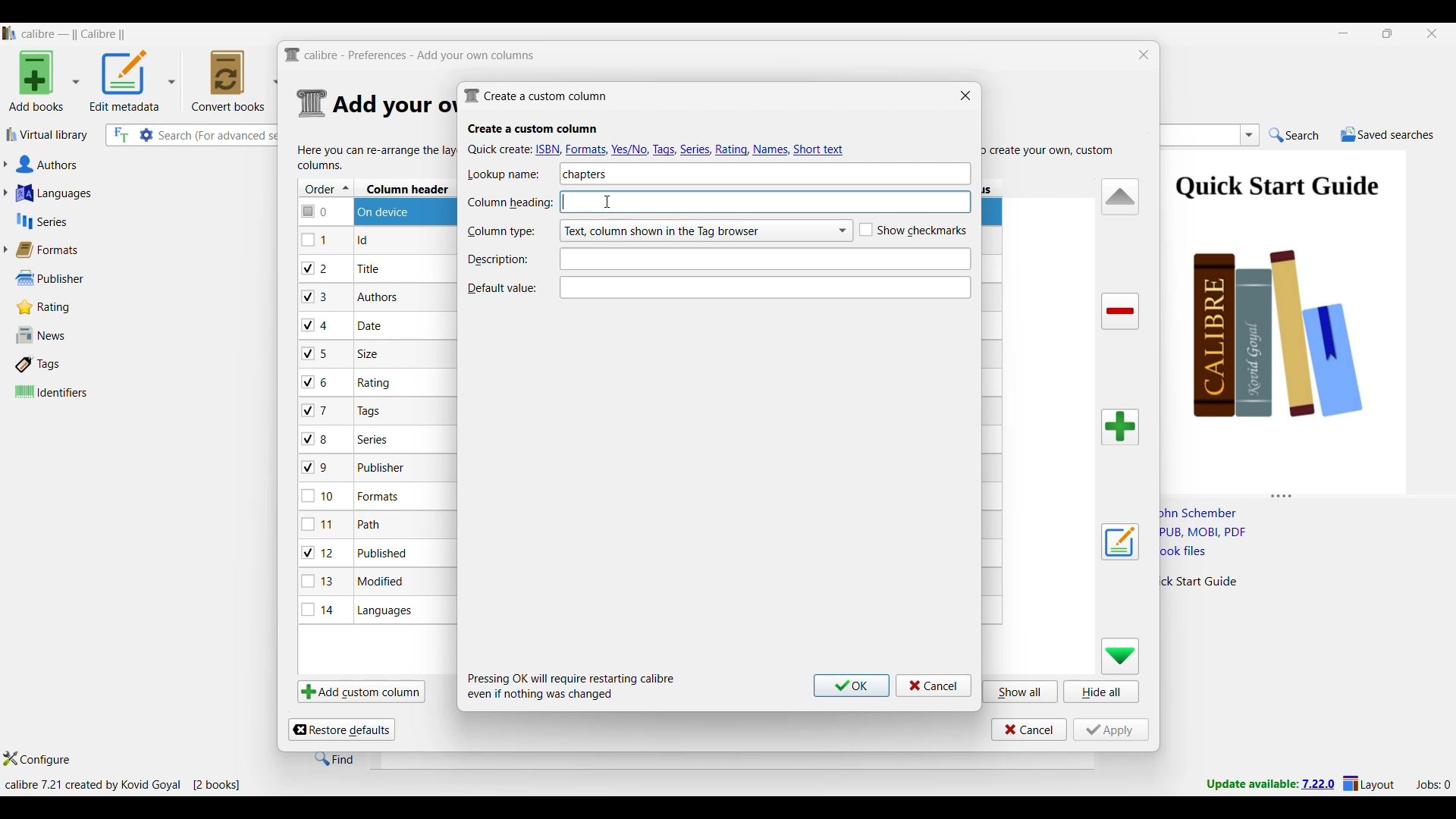 The height and width of the screenshot is (819, 1456). I want to click on Close window, so click(1144, 55).